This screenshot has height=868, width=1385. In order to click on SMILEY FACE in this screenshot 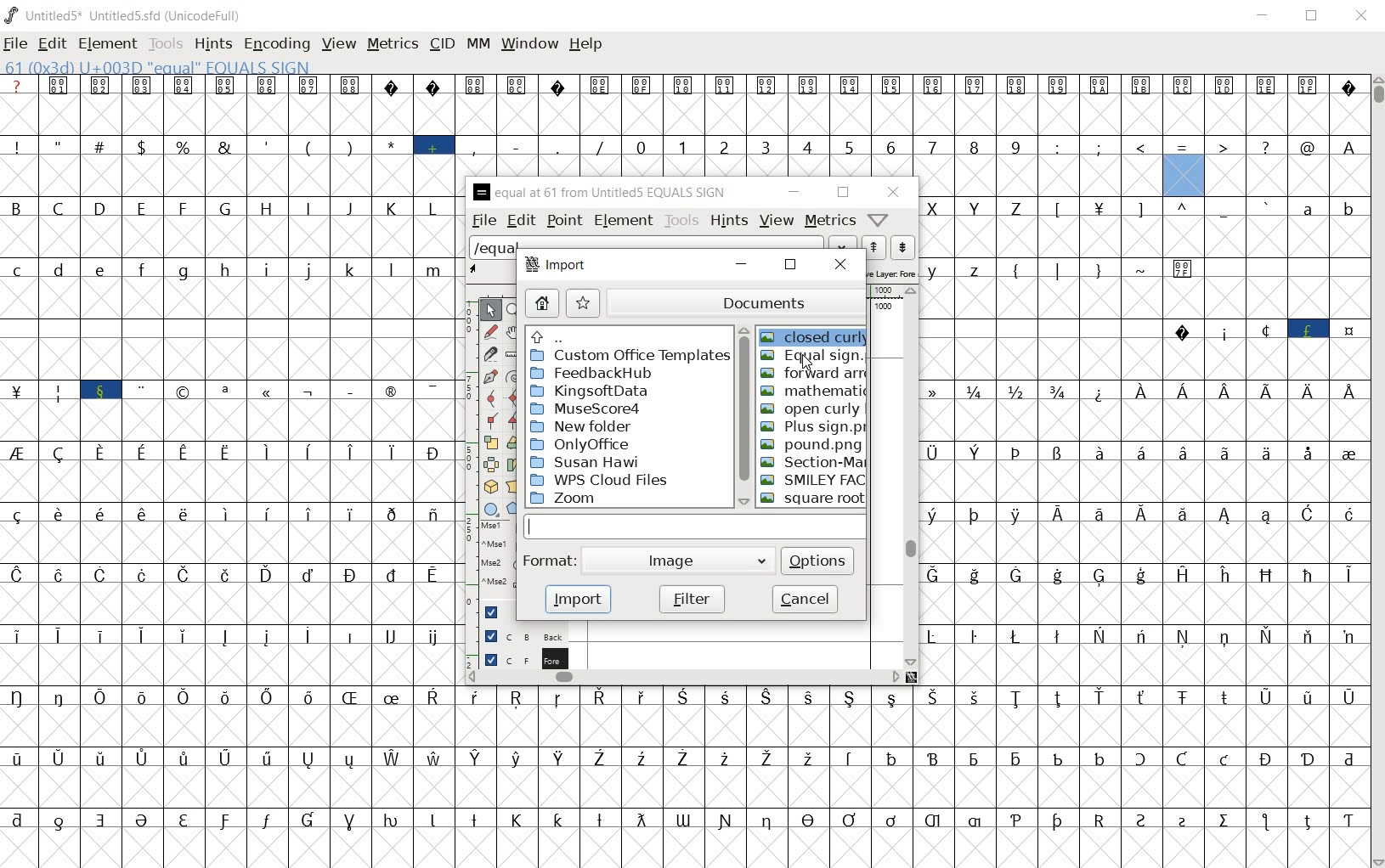, I will do `click(815, 480)`.